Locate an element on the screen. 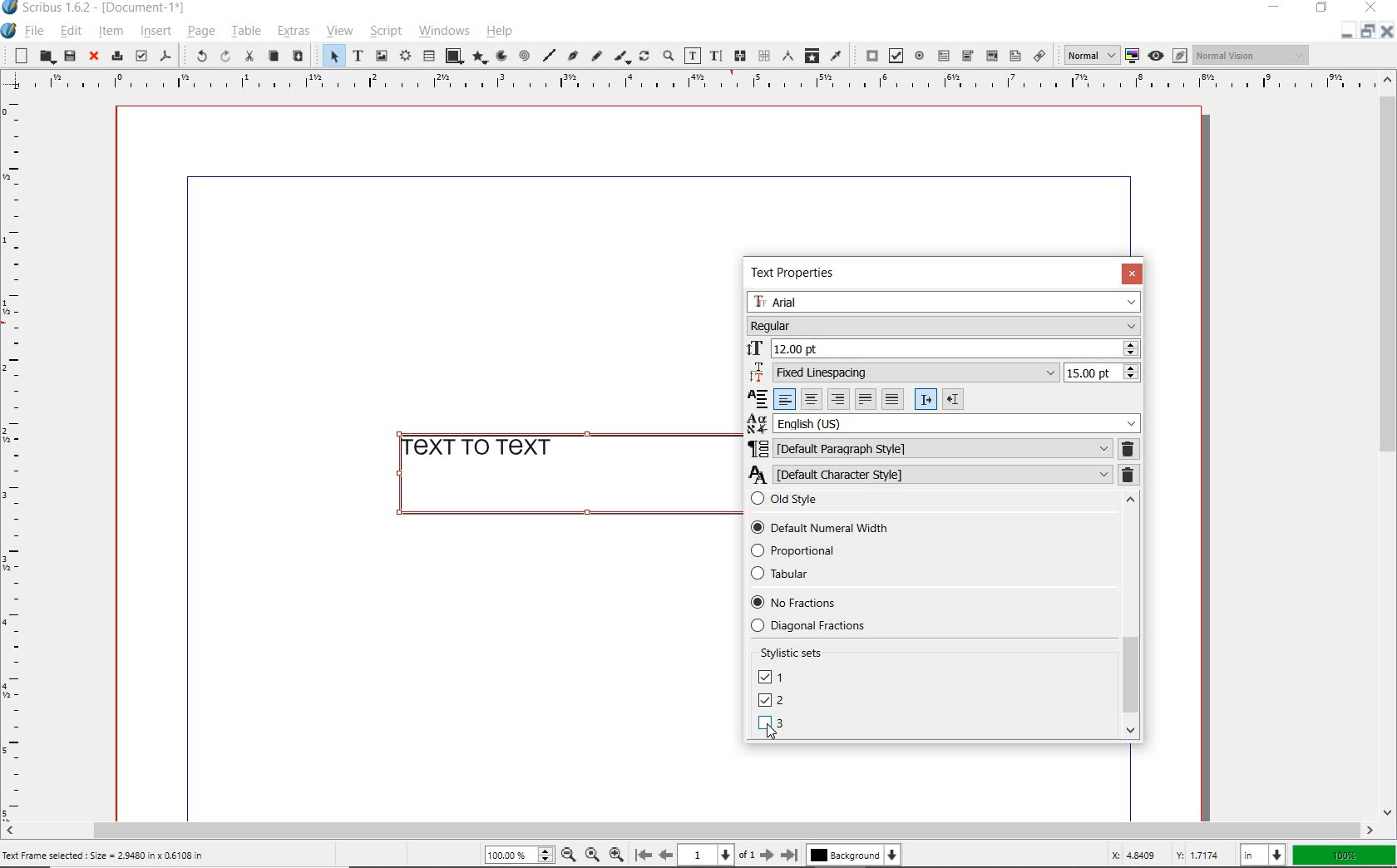 The width and height of the screenshot is (1397, 868). Stylistic sets is located at coordinates (803, 651).